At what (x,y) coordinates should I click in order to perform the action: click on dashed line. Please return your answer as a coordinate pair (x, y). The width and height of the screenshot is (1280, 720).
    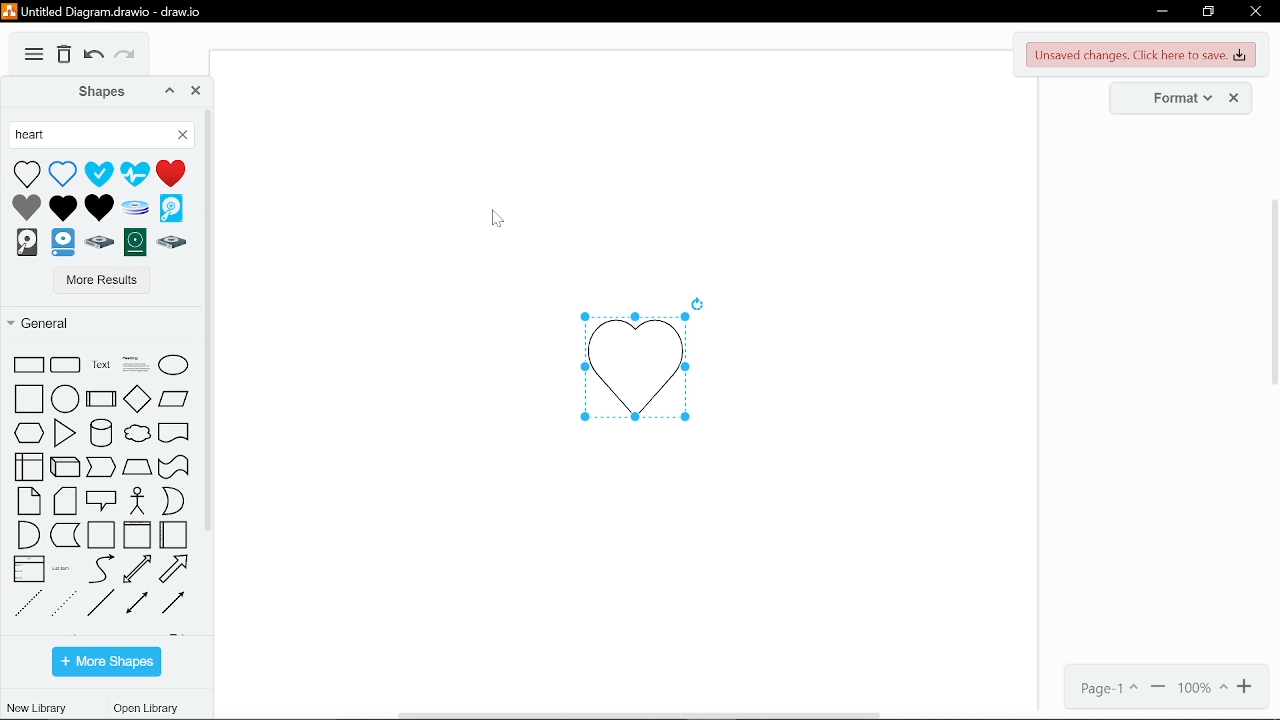
    Looking at the image, I should click on (27, 603).